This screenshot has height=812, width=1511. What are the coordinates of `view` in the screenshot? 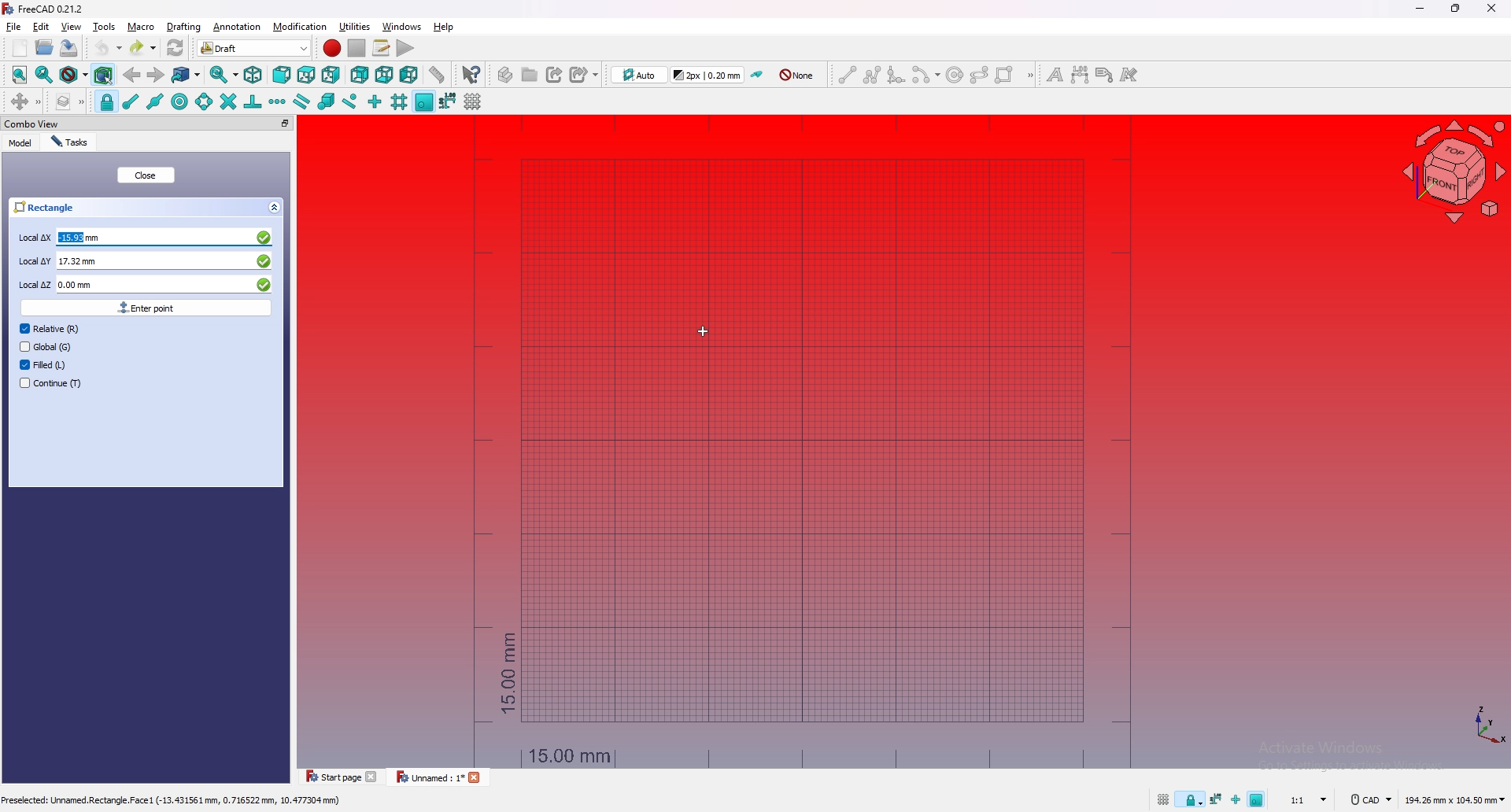 It's located at (71, 27).